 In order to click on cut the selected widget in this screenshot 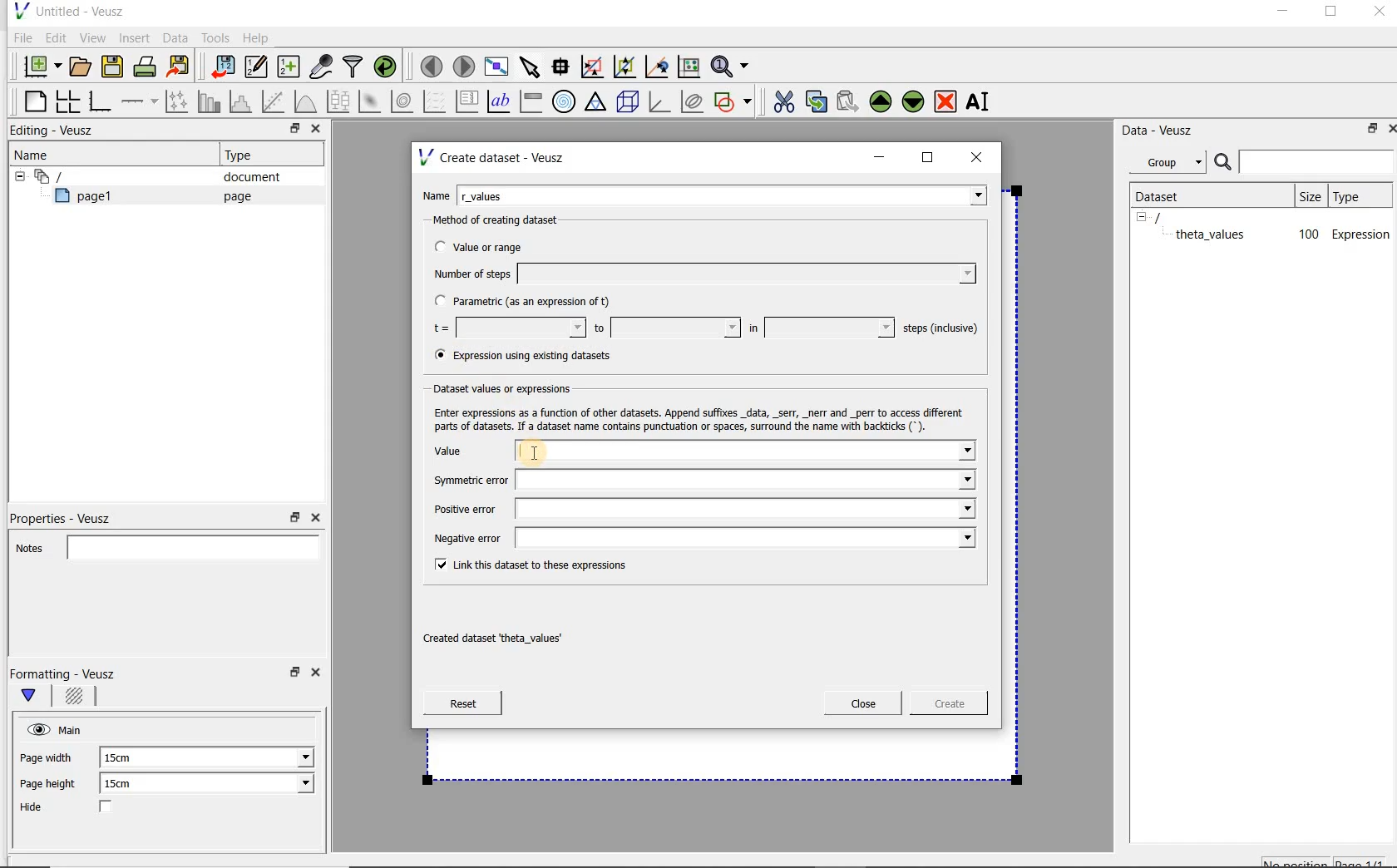, I will do `click(781, 100)`.